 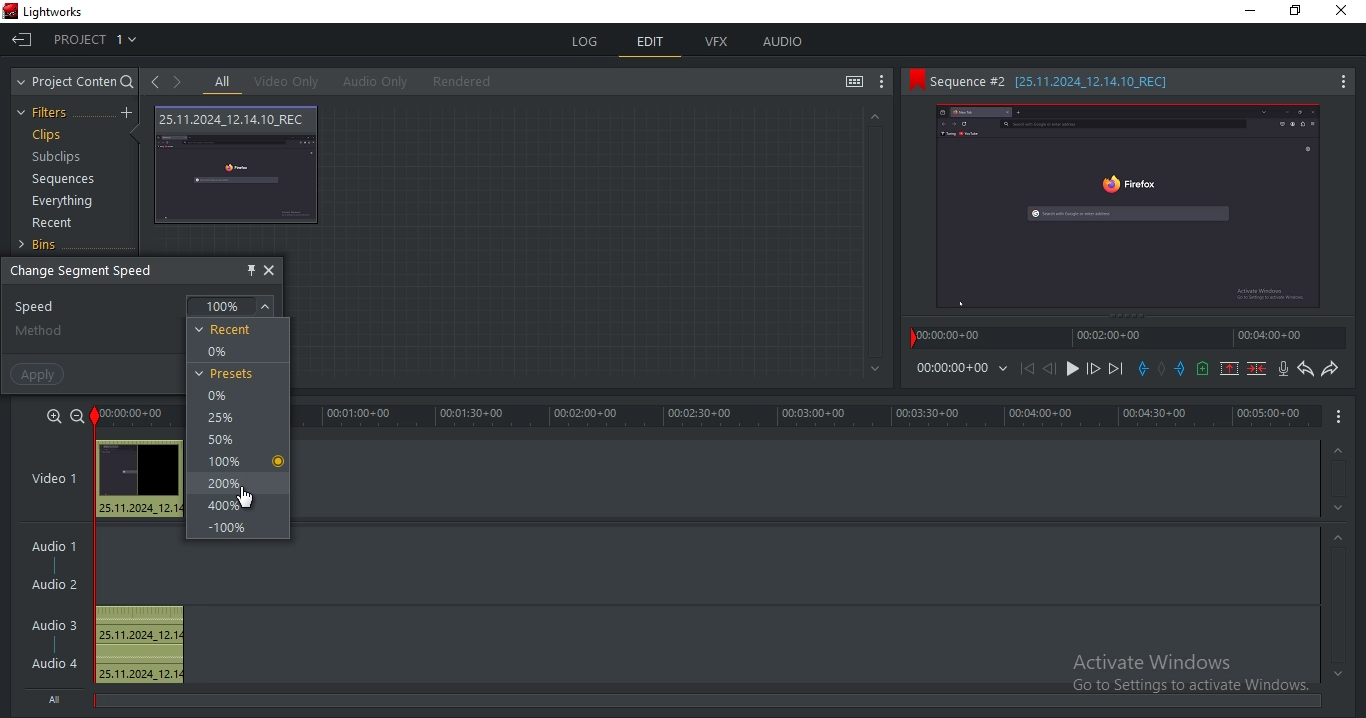 I want to click on add an in mark, so click(x=1142, y=369).